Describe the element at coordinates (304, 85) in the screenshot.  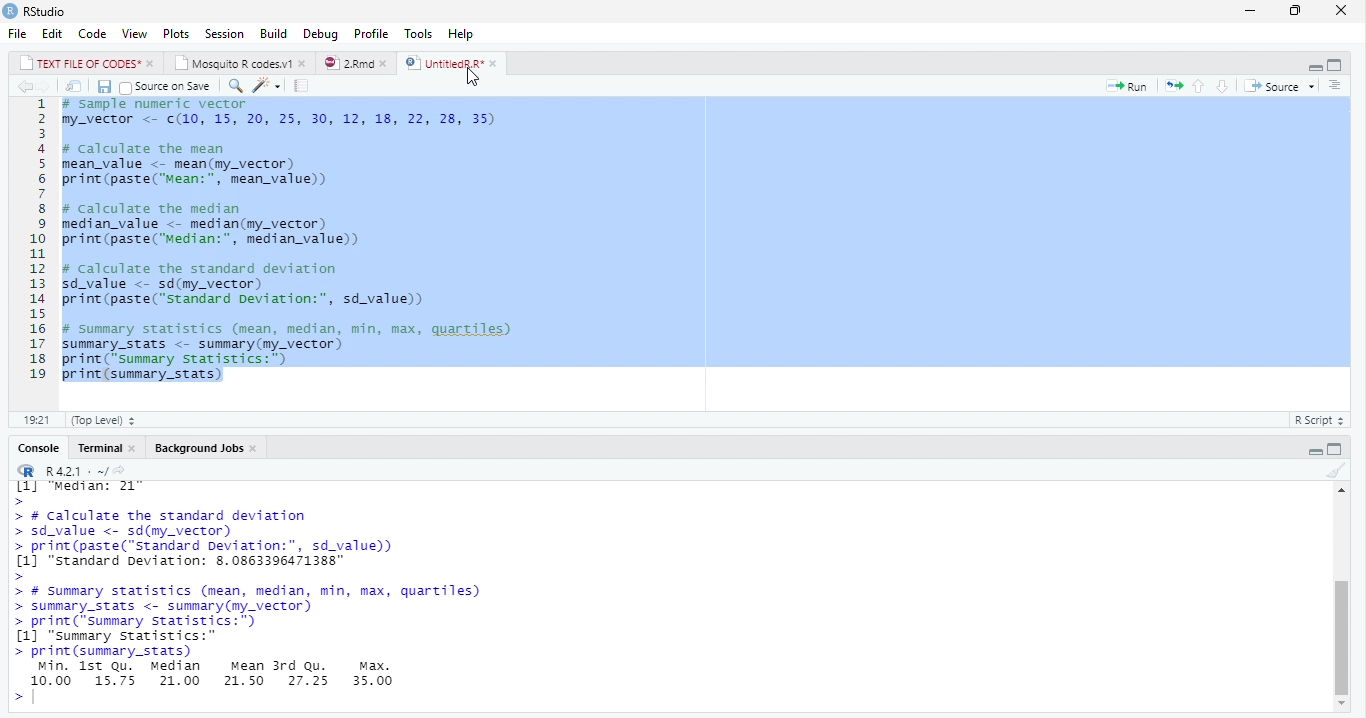
I see `compile report` at that location.